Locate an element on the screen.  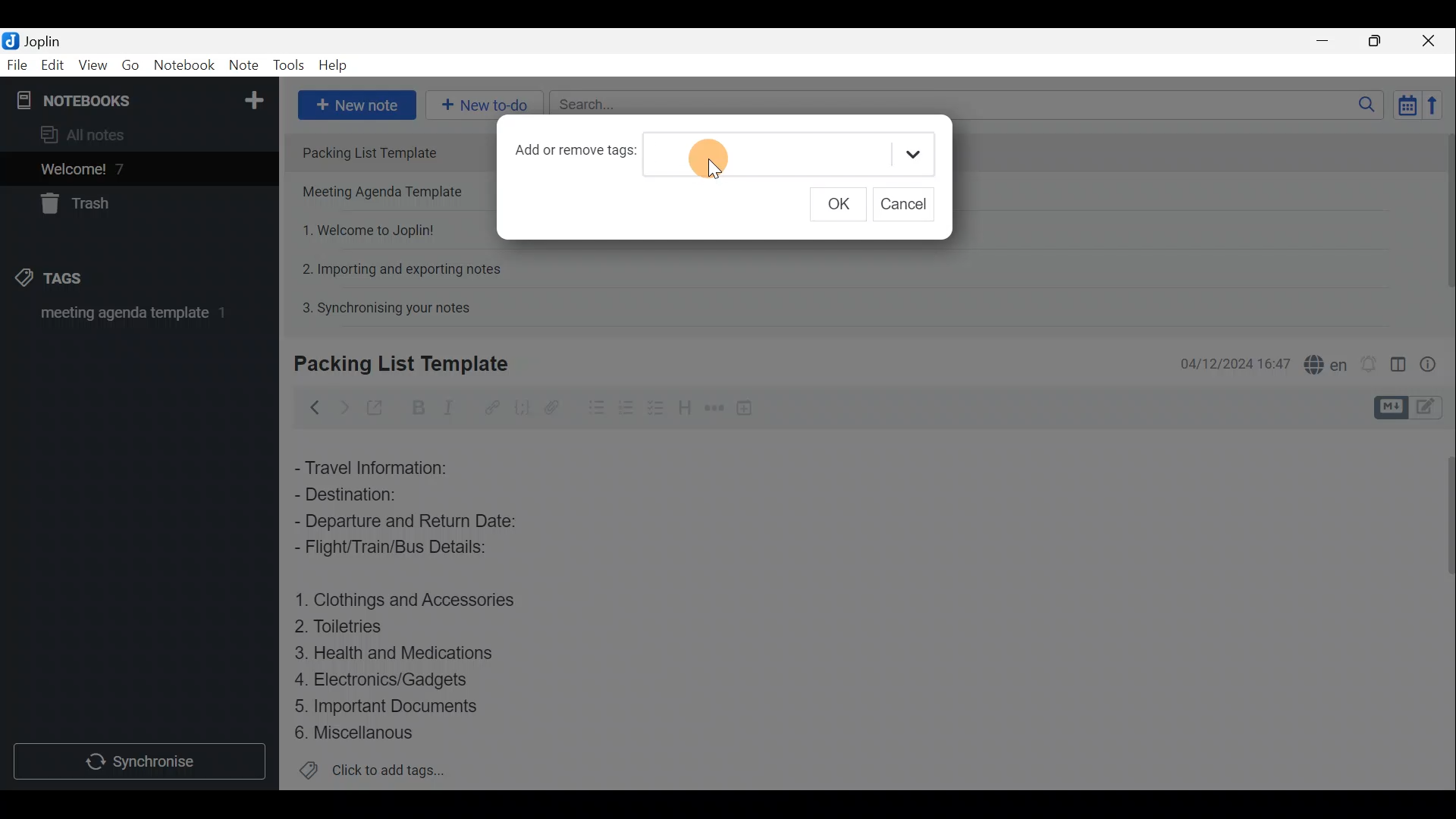
Tools is located at coordinates (290, 66).